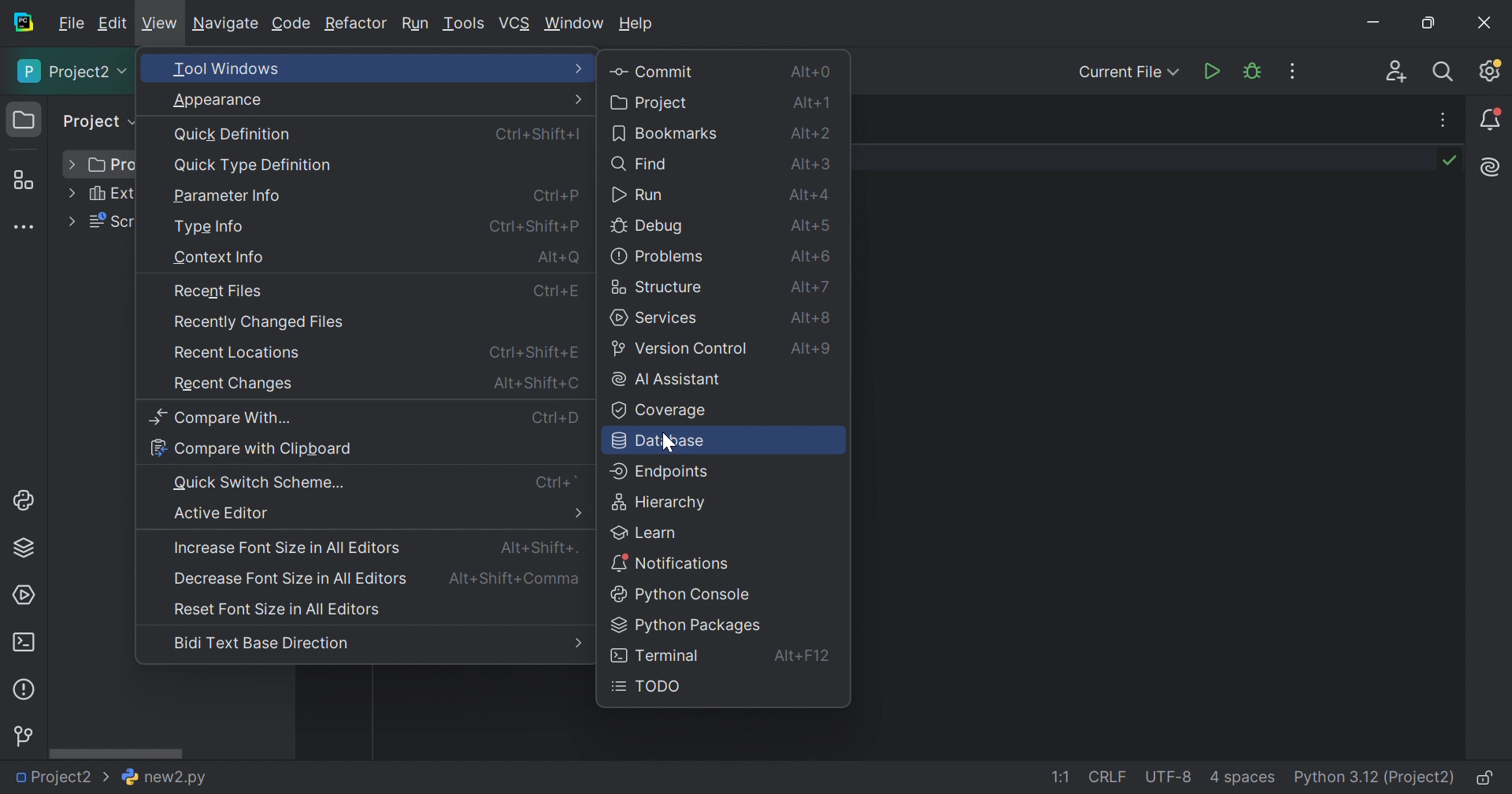 Image resolution: width=1512 pixels, height=794 pixels. What do you see at coordinates (1451, 159) in the screenshot?
I see `No problems found` at bounding box center [1451, 159].